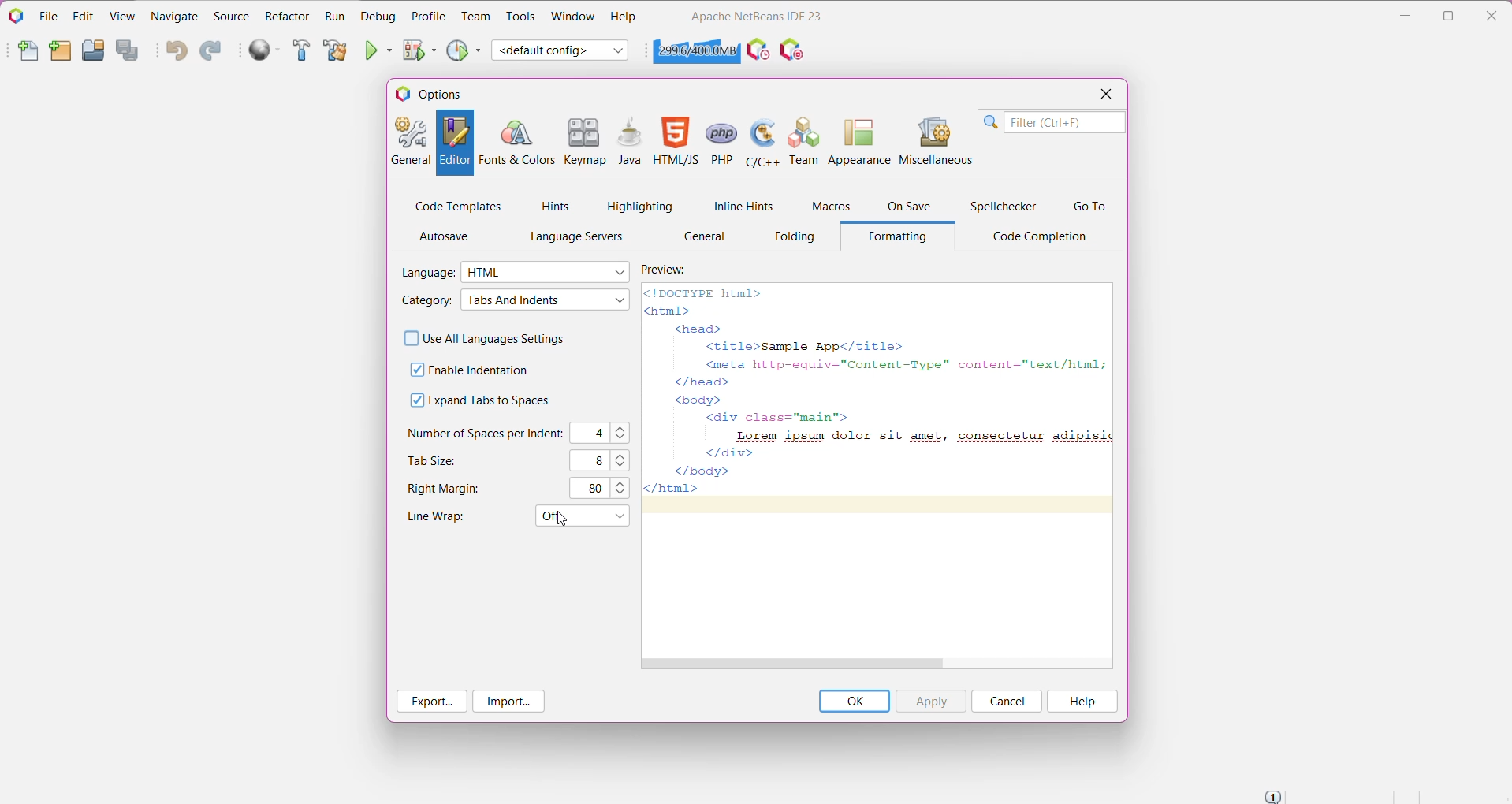 This screenshot has height=804, width=1512. What do you see at coordinates (903, 237) in the screenshot?
I see `Formatting Tab opened` at bounding box center [903, 237].